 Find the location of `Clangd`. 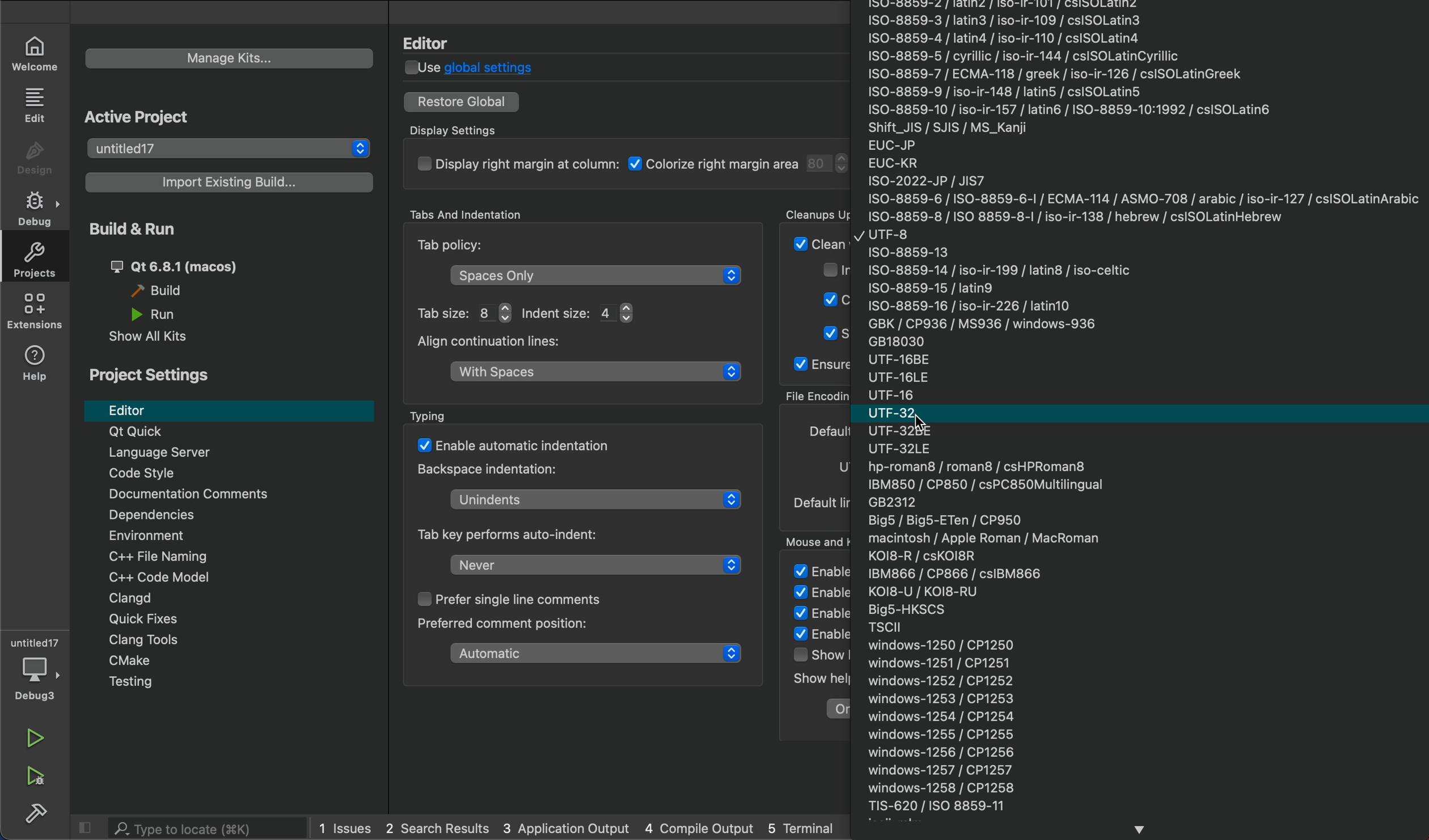

Clangd is located at coordinates (217, 598).